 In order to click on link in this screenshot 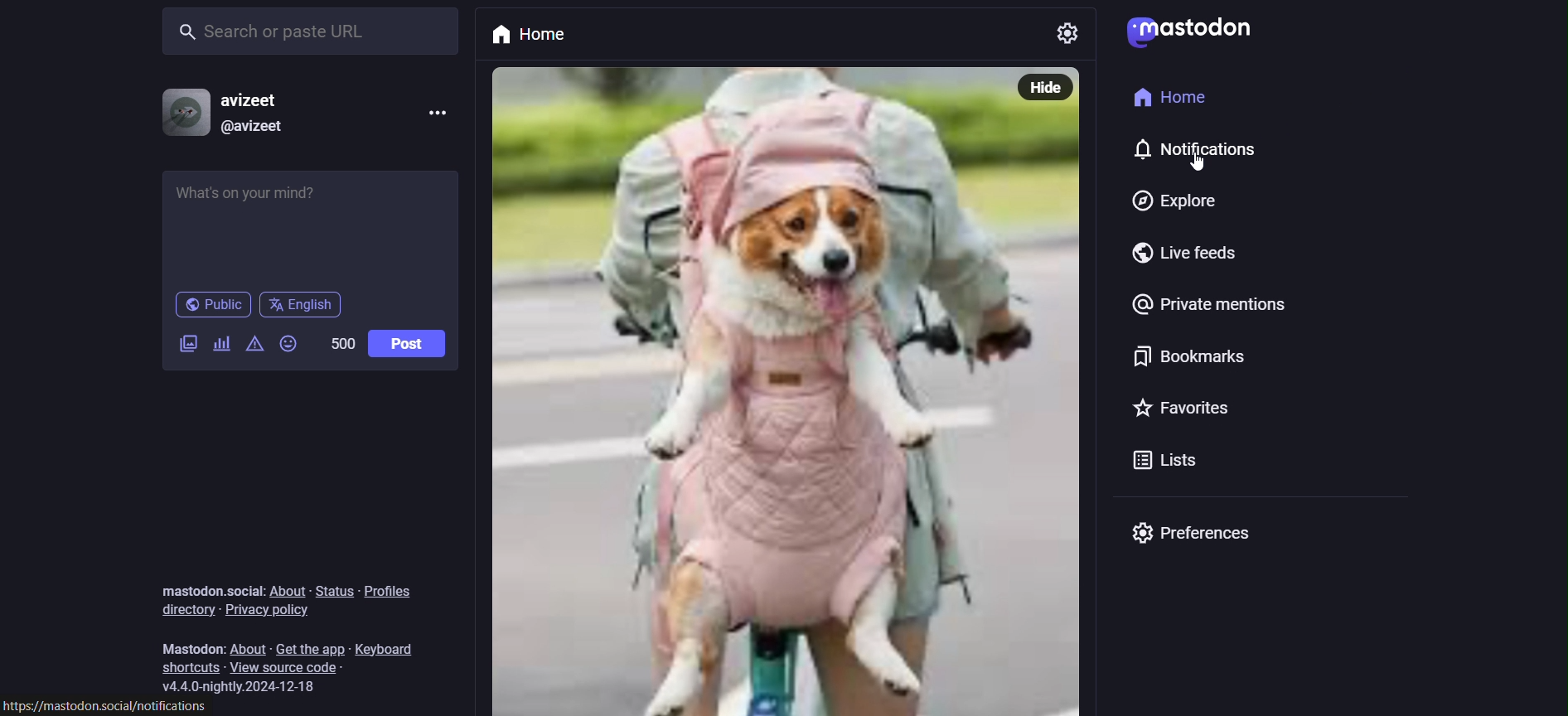, I will do `click(111, 707)`.